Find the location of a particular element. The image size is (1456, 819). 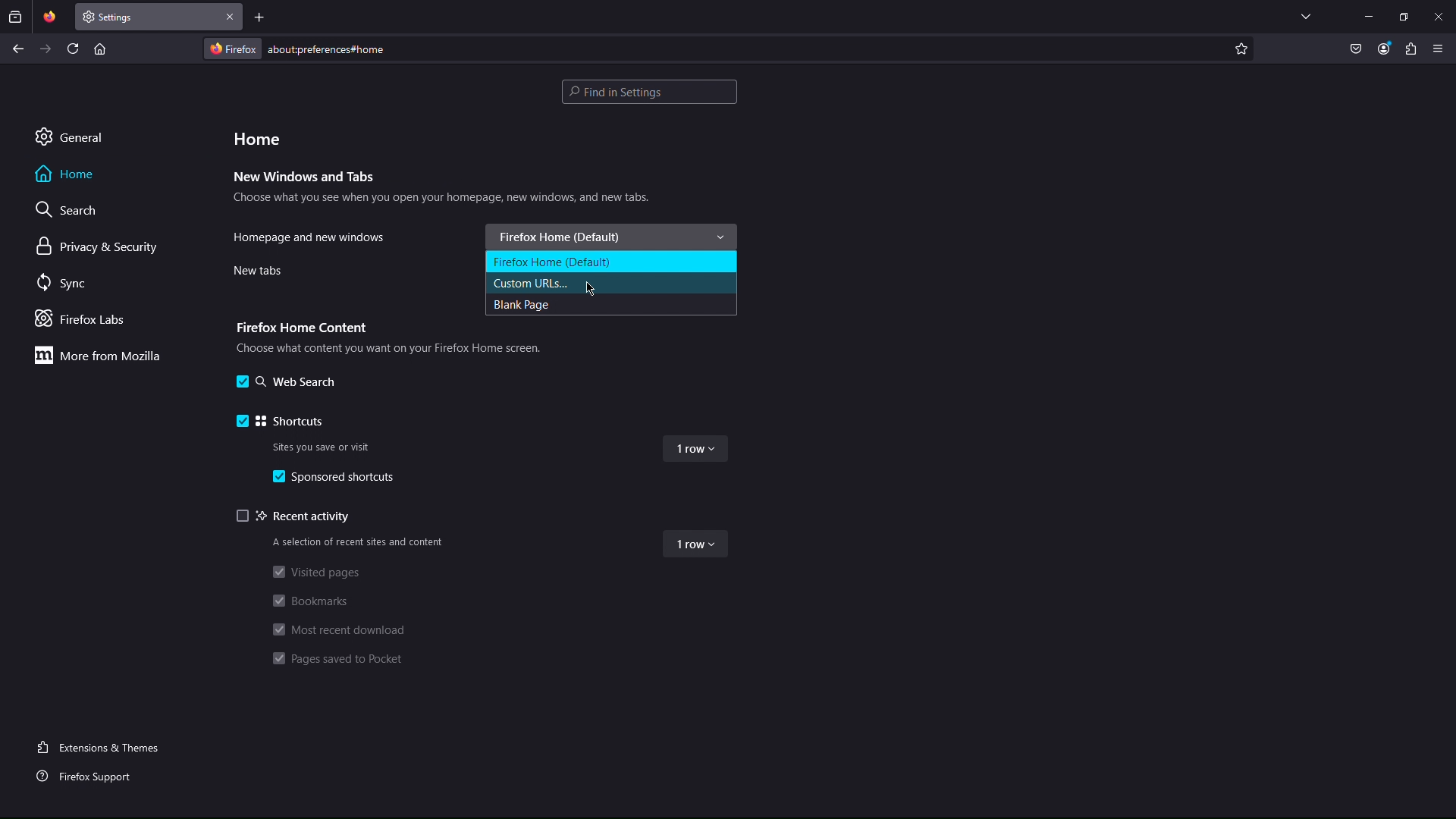

Firefox Home Content is located at coordinates (300, 328).